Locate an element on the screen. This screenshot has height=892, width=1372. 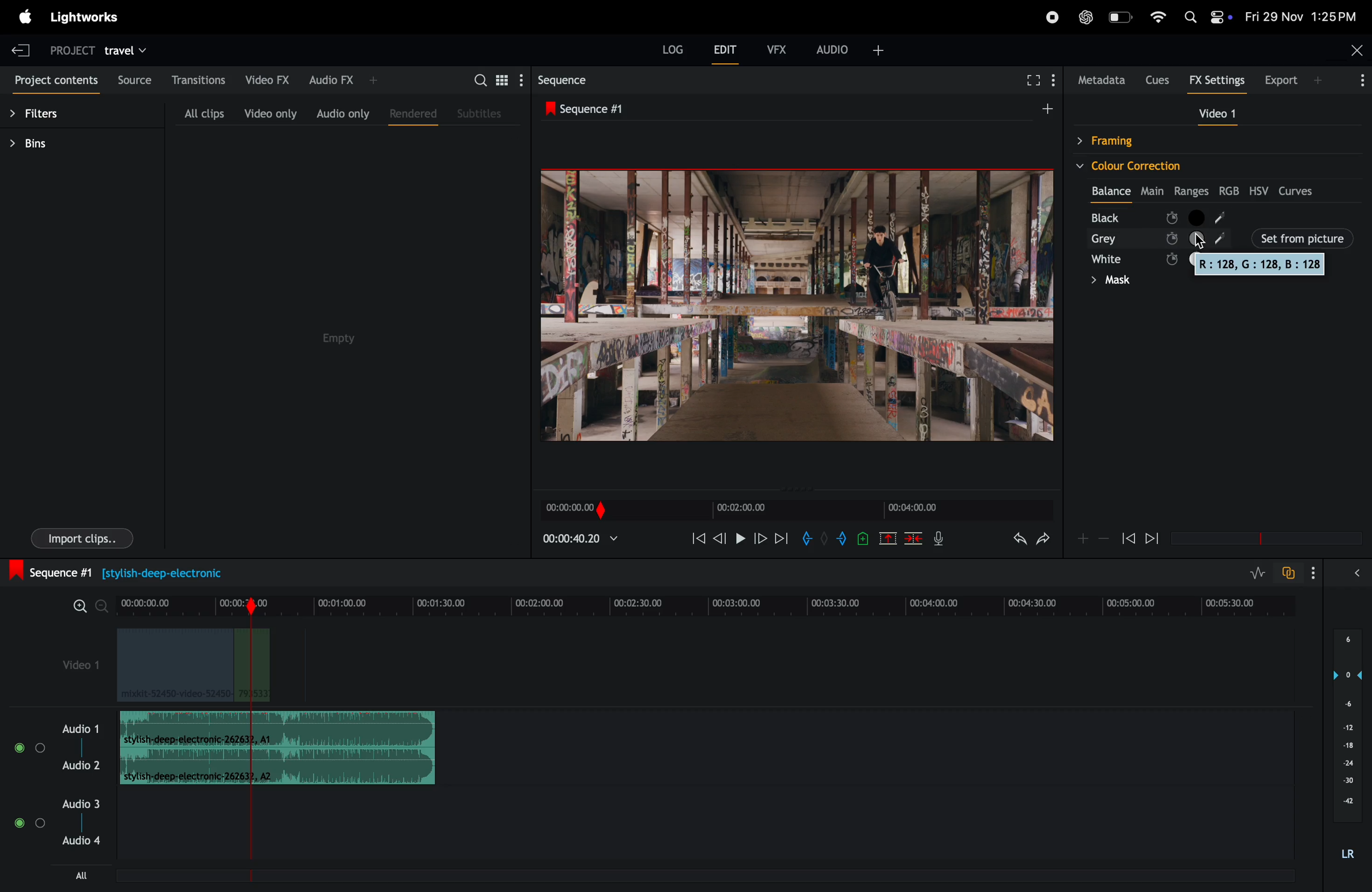
show settings menu is located at coordinates (525, 79).